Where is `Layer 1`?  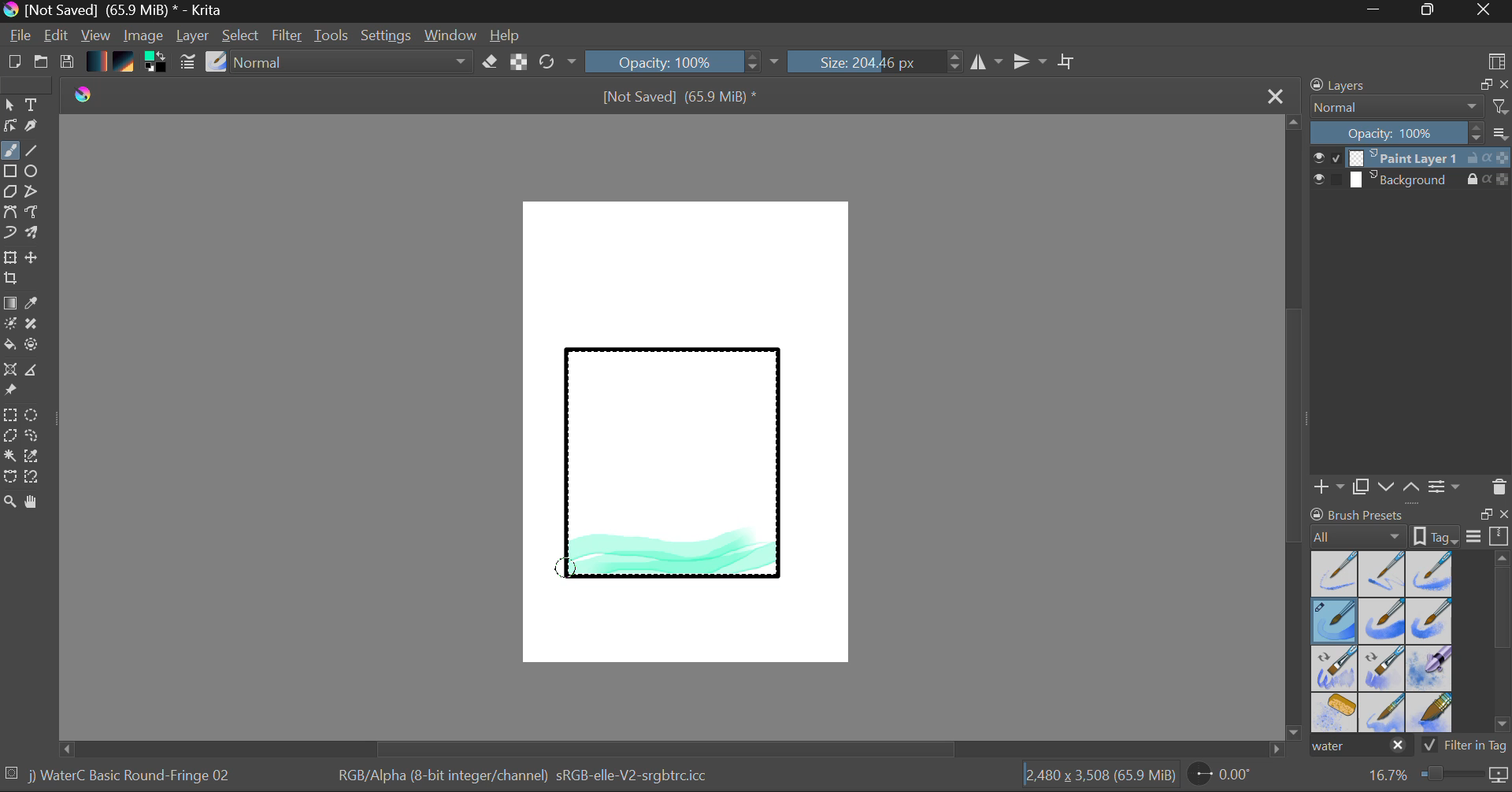 Layer 1 is located at coordinates (1412, 160).